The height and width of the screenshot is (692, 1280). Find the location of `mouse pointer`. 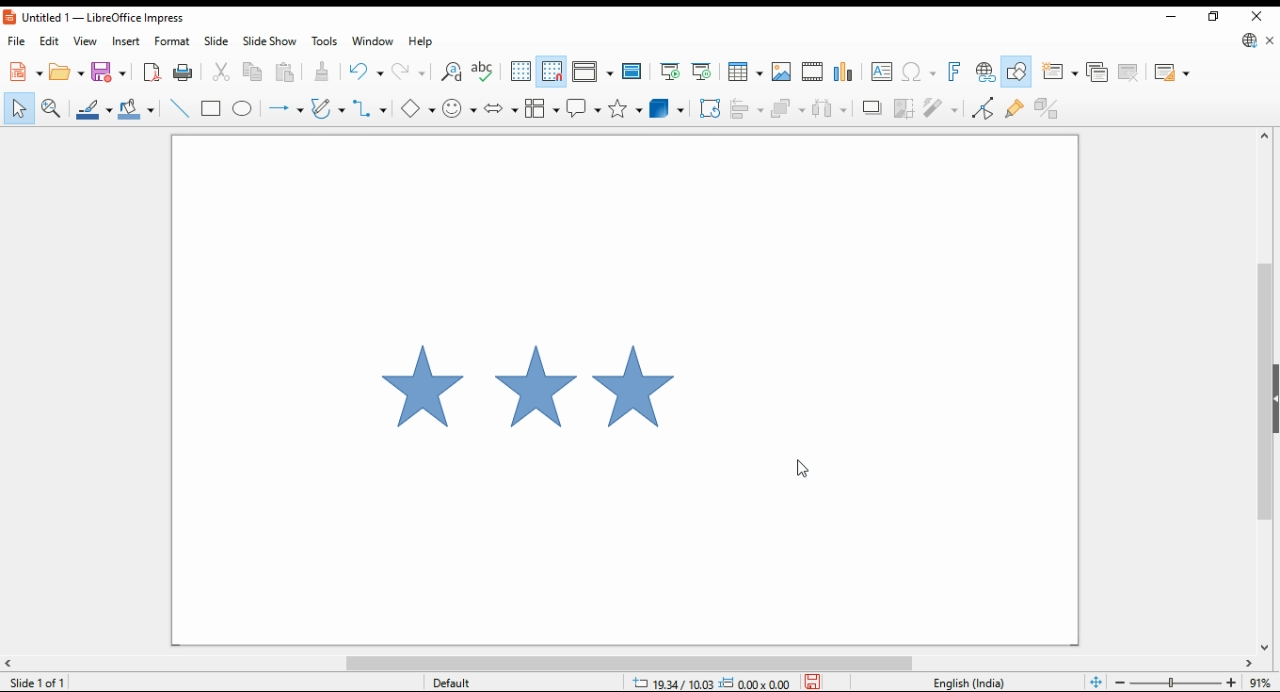

mouse pointer is located at coordinates (800, 469).